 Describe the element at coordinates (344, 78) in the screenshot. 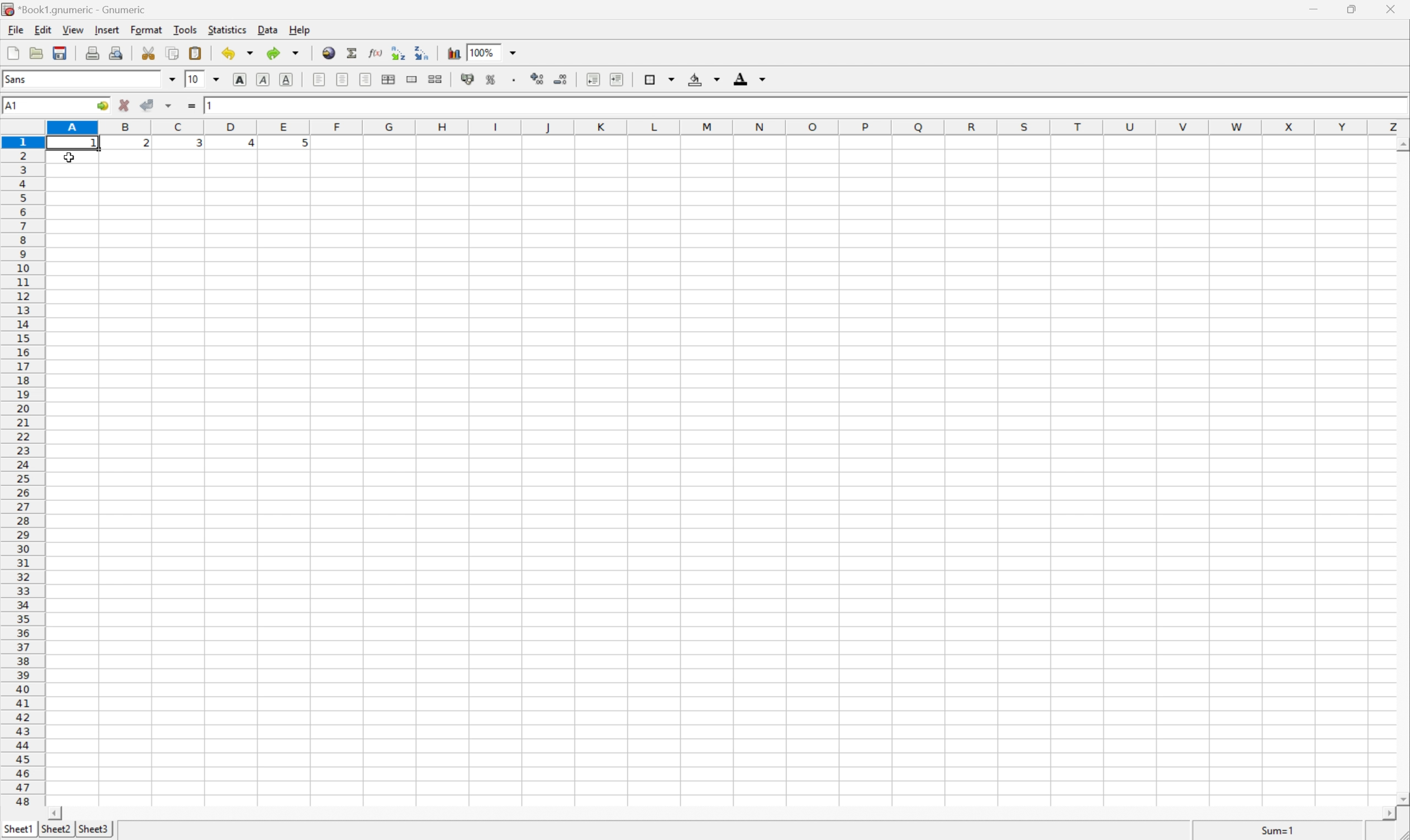

I see `center horizontally` at that location.